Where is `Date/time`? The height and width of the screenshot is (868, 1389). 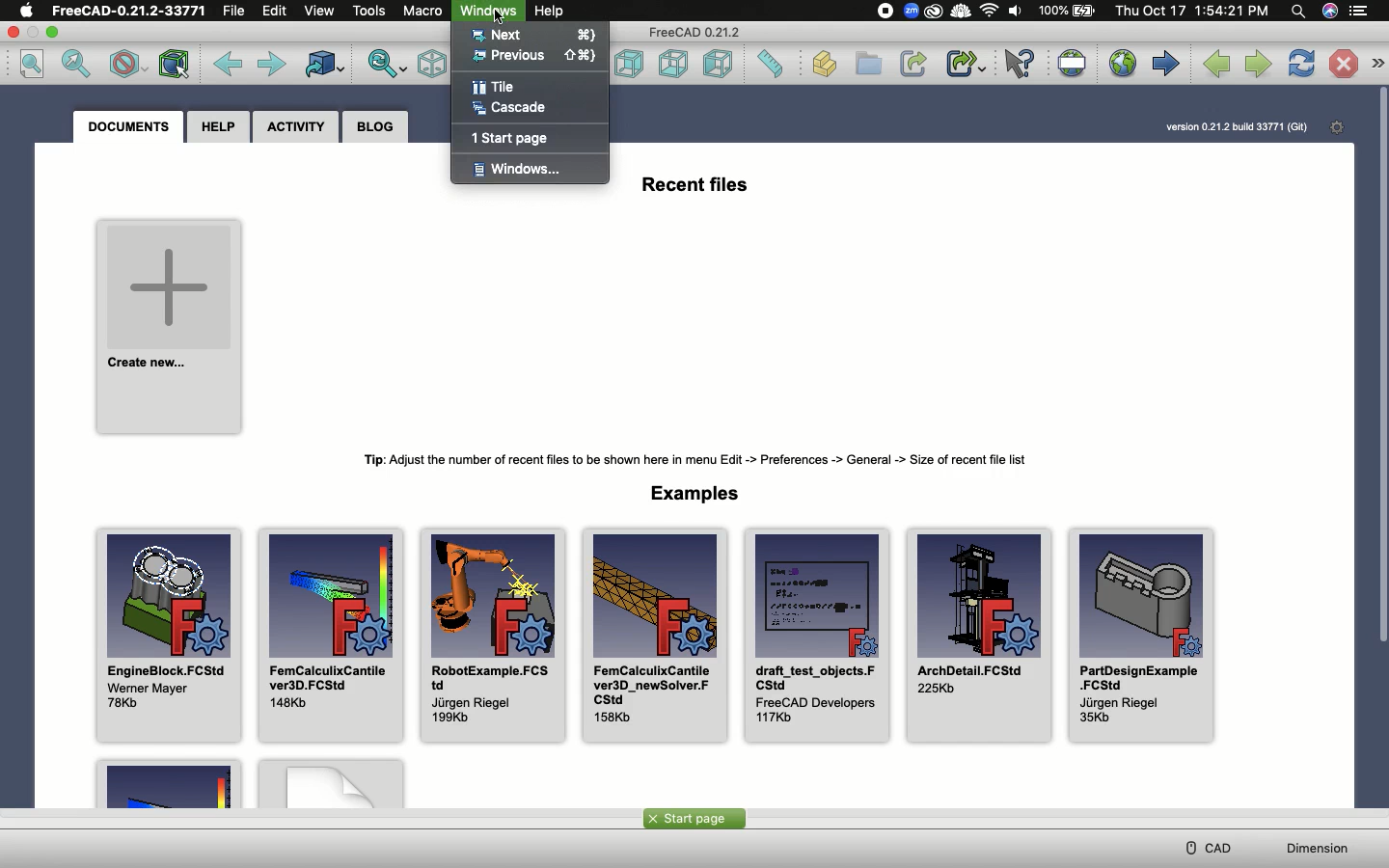 Date/time is located at coordinates (1192, 11).